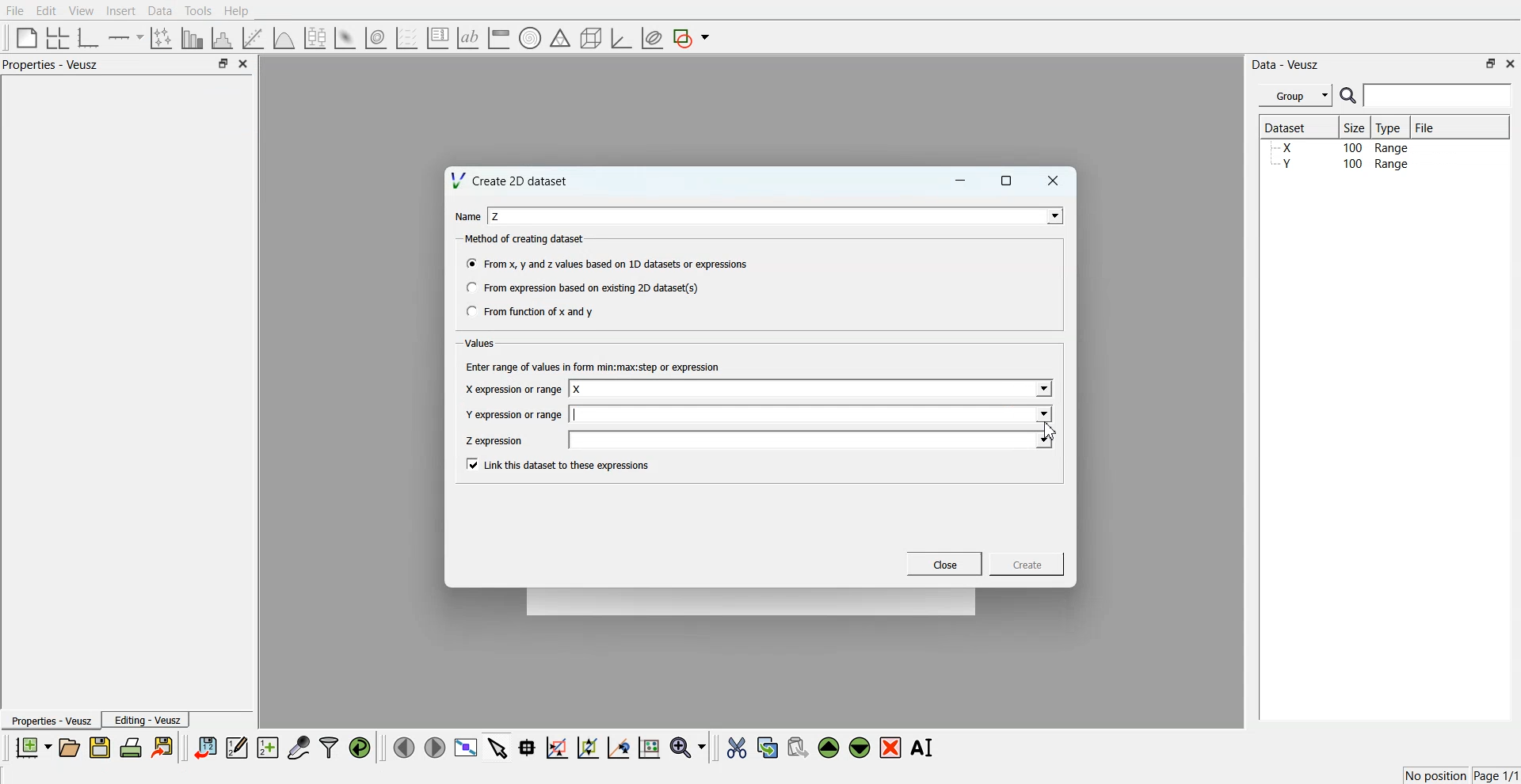  I want to click on Filter dataset, so click(329, 747).